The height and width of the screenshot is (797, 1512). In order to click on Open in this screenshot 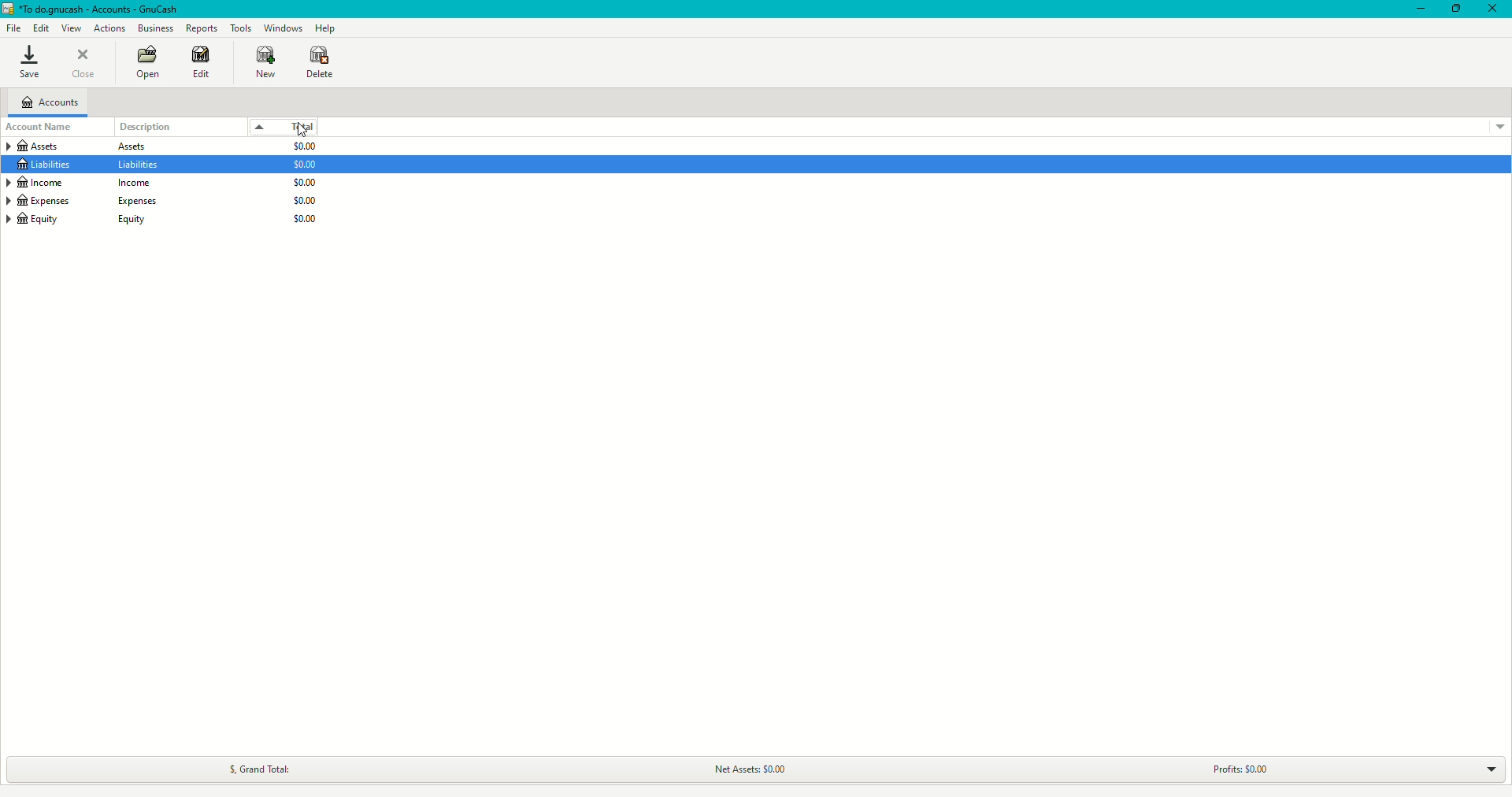, I will do `click(146, 63)`.